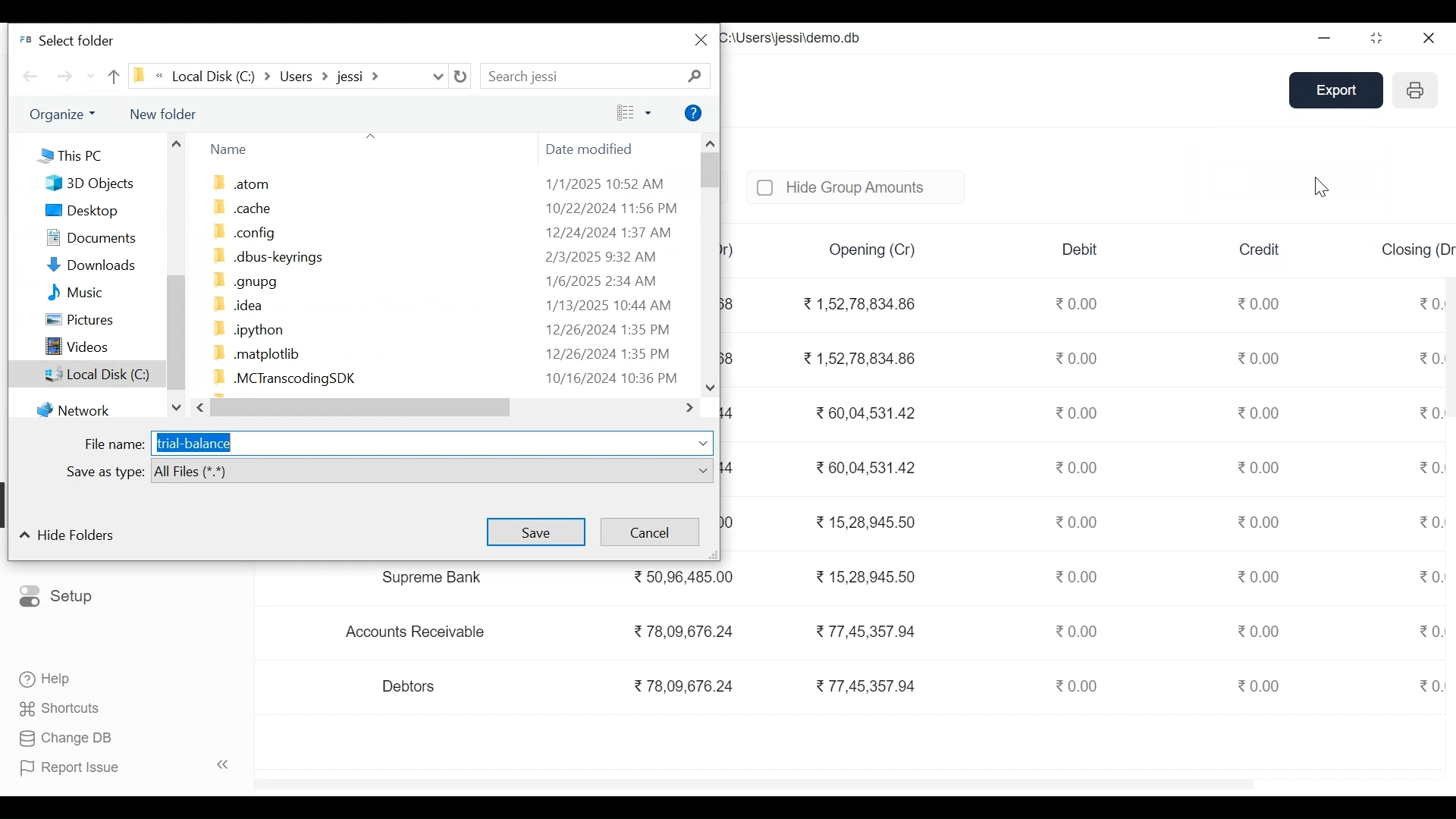 This screenshot has width=1456, height=819. Describe the element at coordinates (1427, 523) in the screenshot. I see `0.00` at that location.